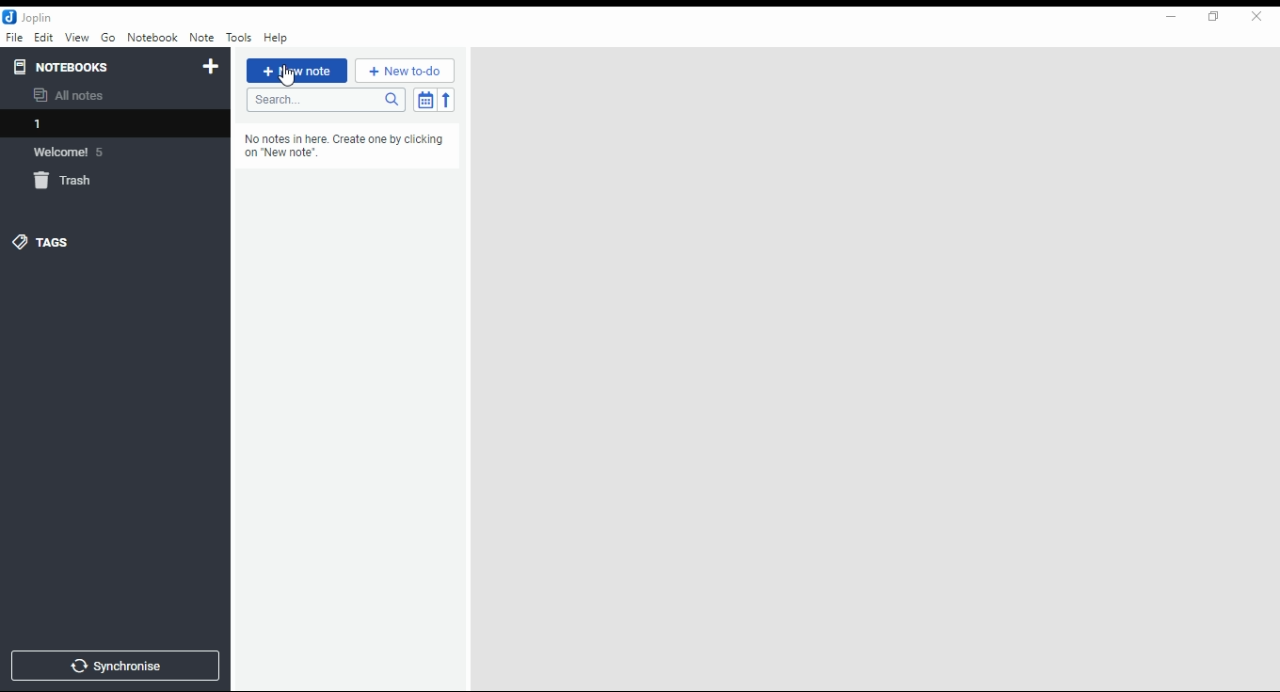 This screenshot has height=692, width=1280. Describe the element at coordinates (324, 99) in the screenshot. I see `search` at that location.